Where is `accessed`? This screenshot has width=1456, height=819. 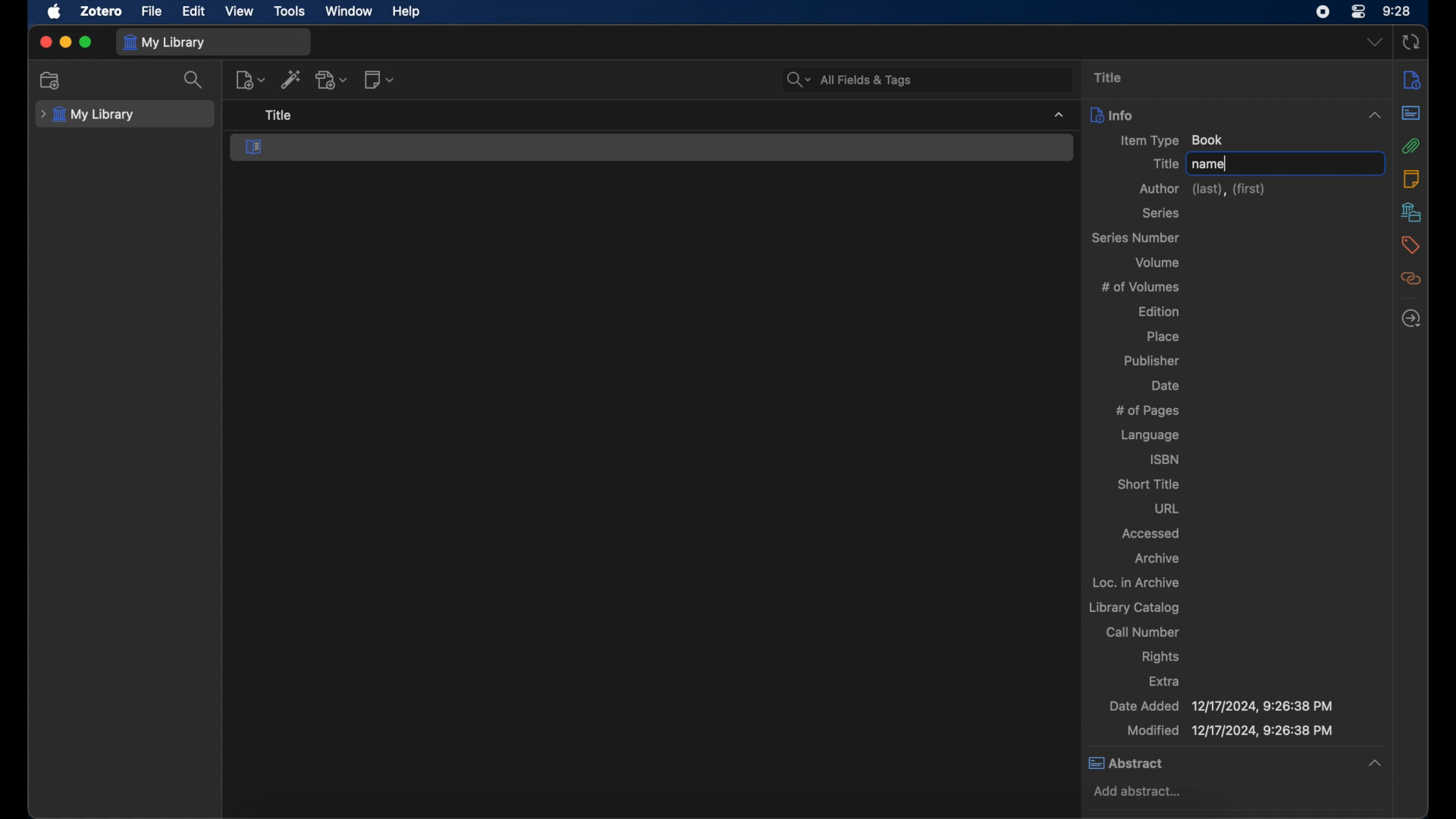
accessed is located at coordinates (1152, 532).